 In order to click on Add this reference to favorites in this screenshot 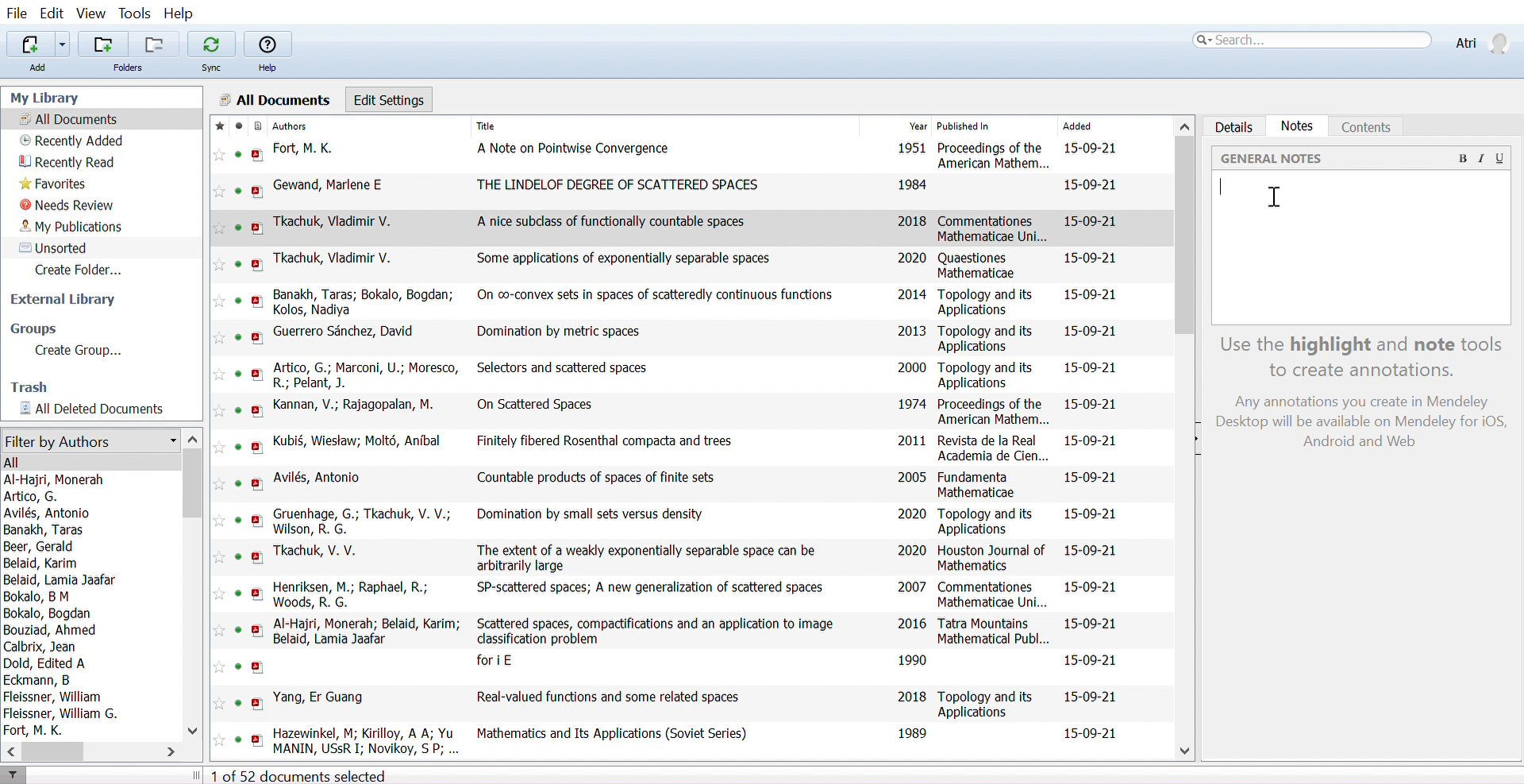, I will do `click(220, 301)`.